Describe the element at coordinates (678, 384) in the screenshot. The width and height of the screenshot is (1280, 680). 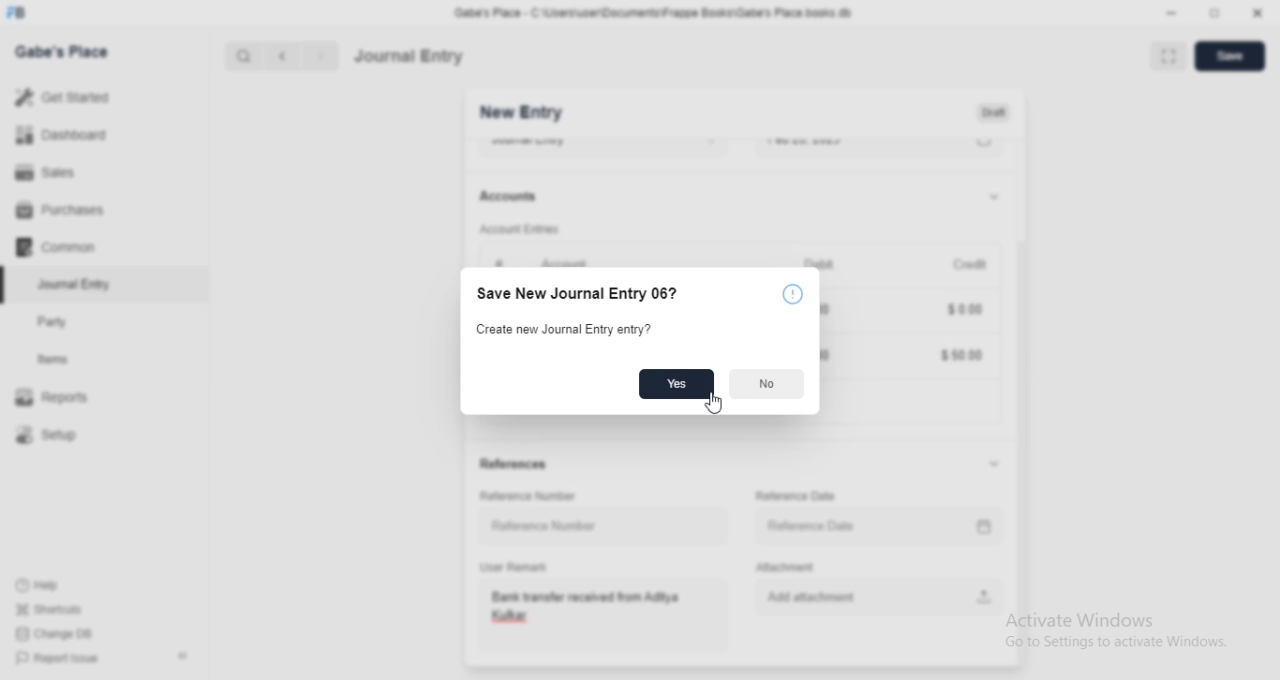
I see `Yes` at that location.